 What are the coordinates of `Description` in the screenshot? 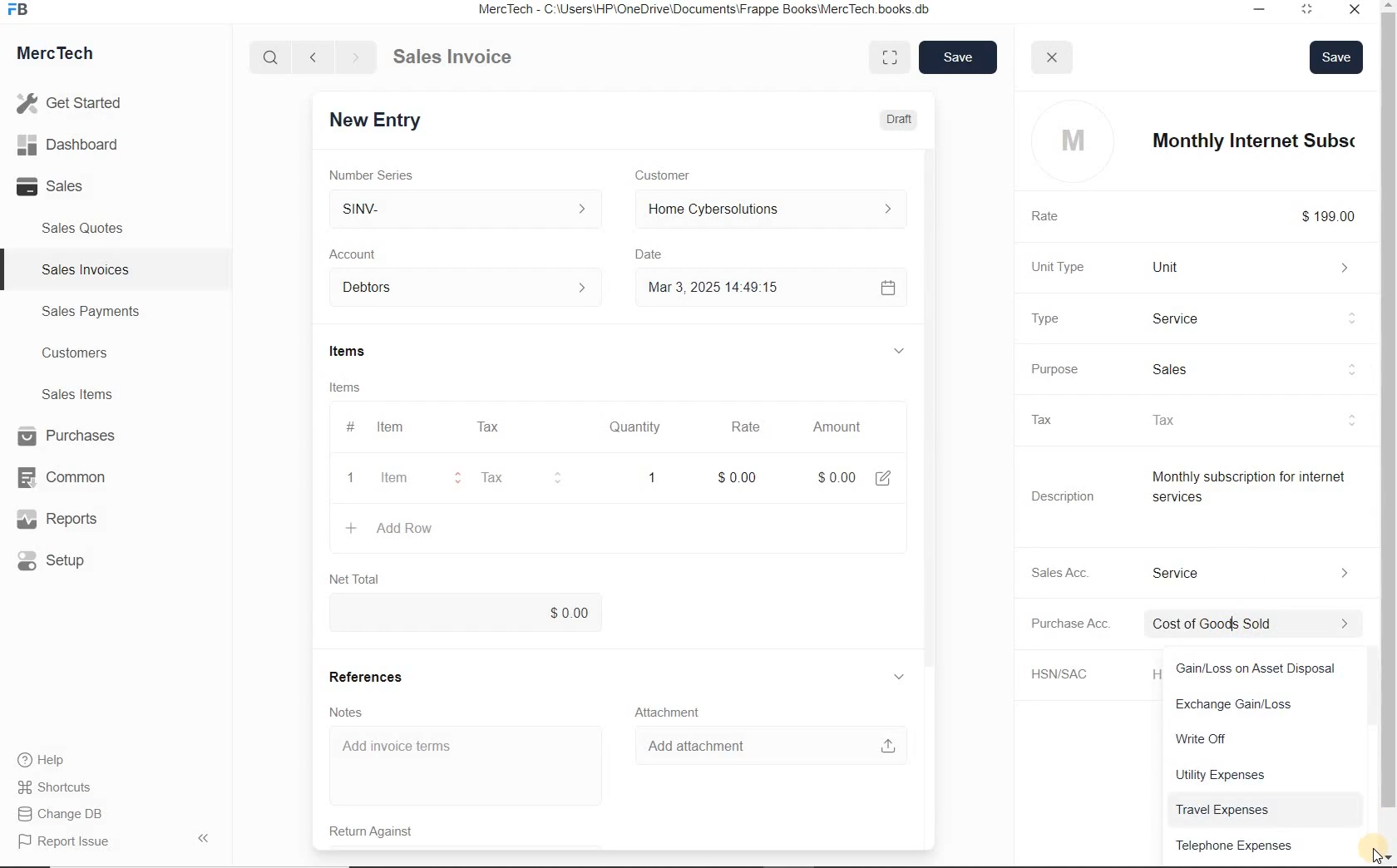 It's located at (1073, 496).